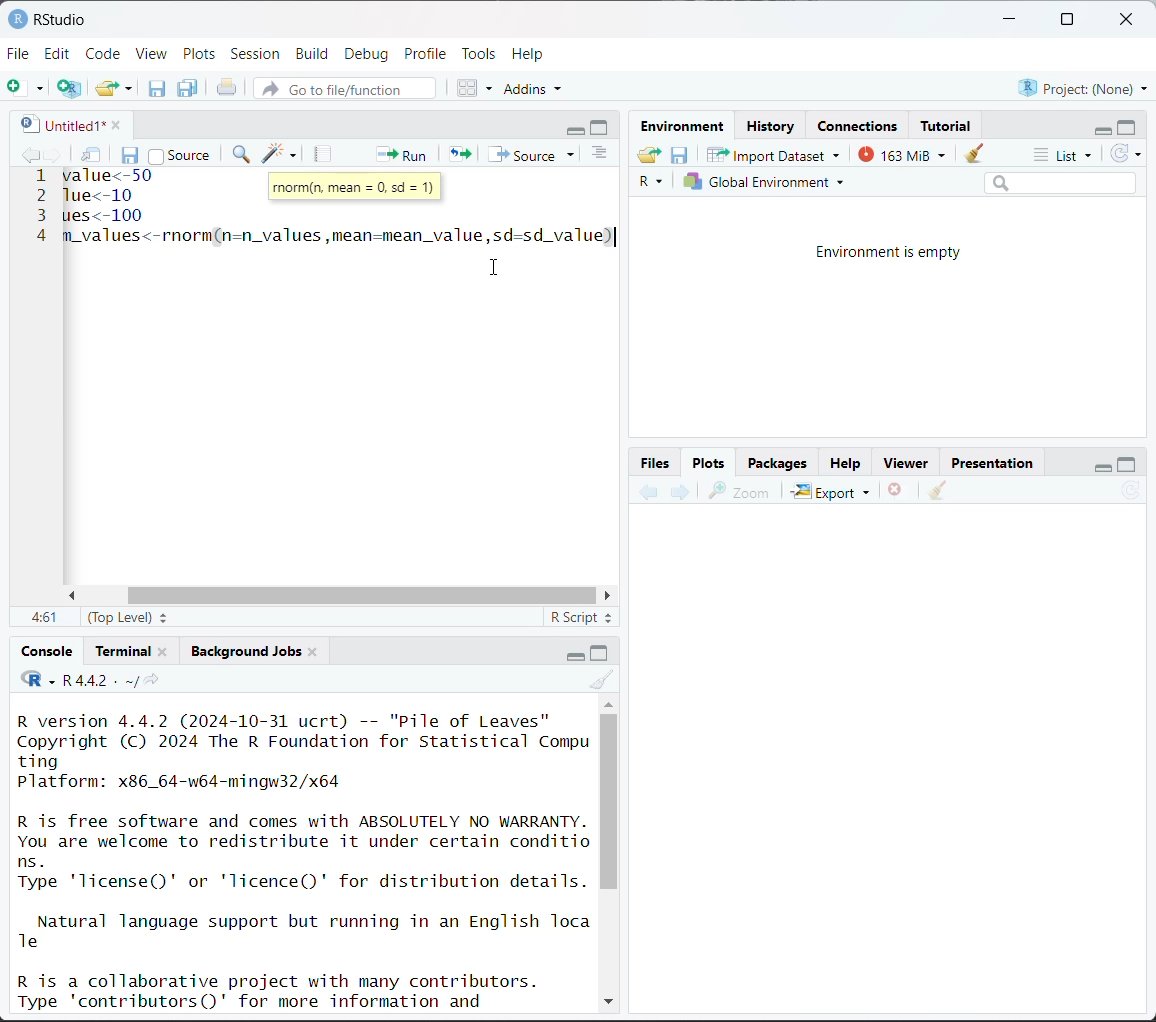 The height and width of the screenshot is (1022, 1156). I want to click on save all open documents, so click(189, 88).